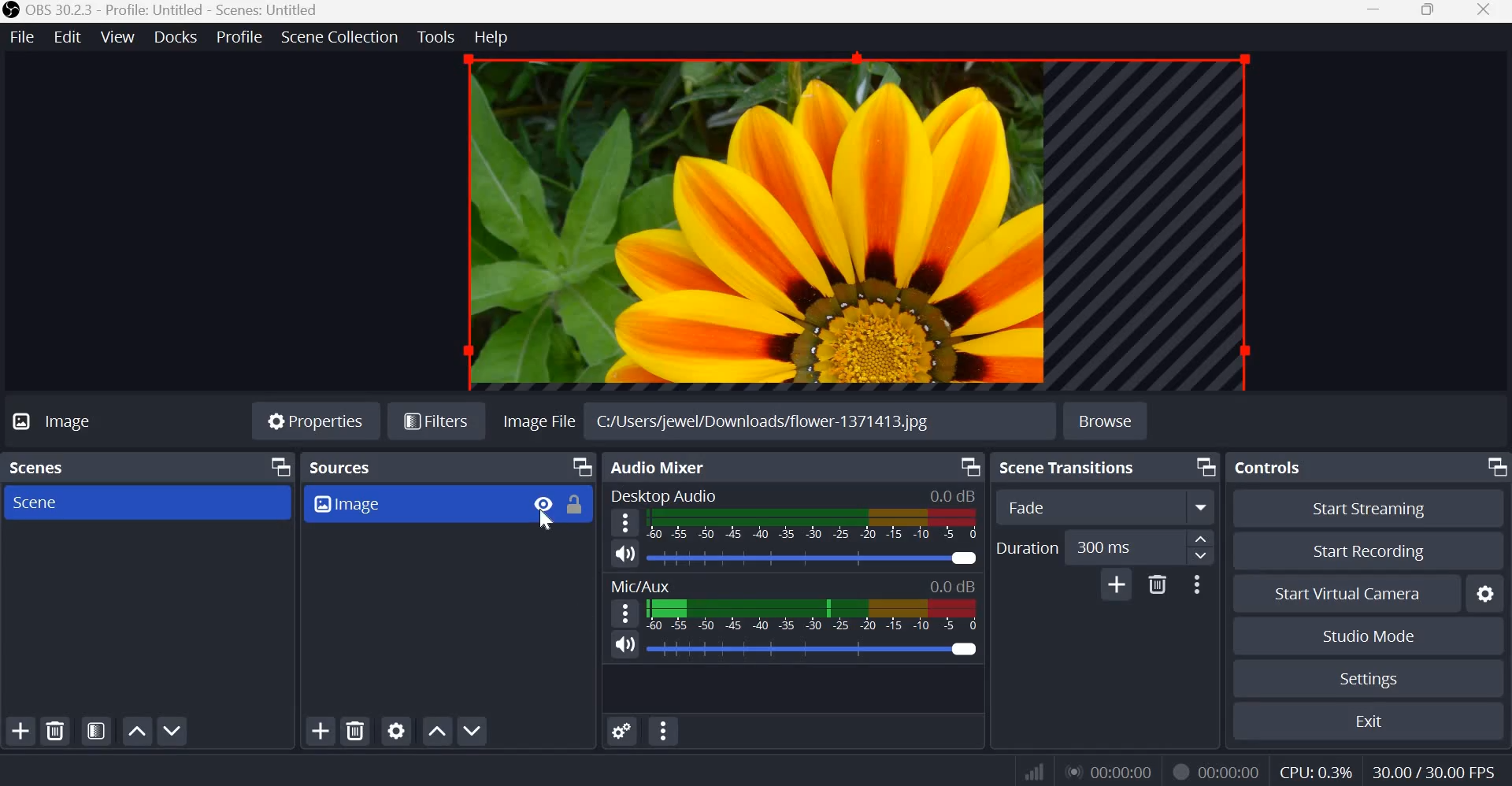 The height and width of the screenshot is (786, 1512). I want to click on , so click(1369, 551).